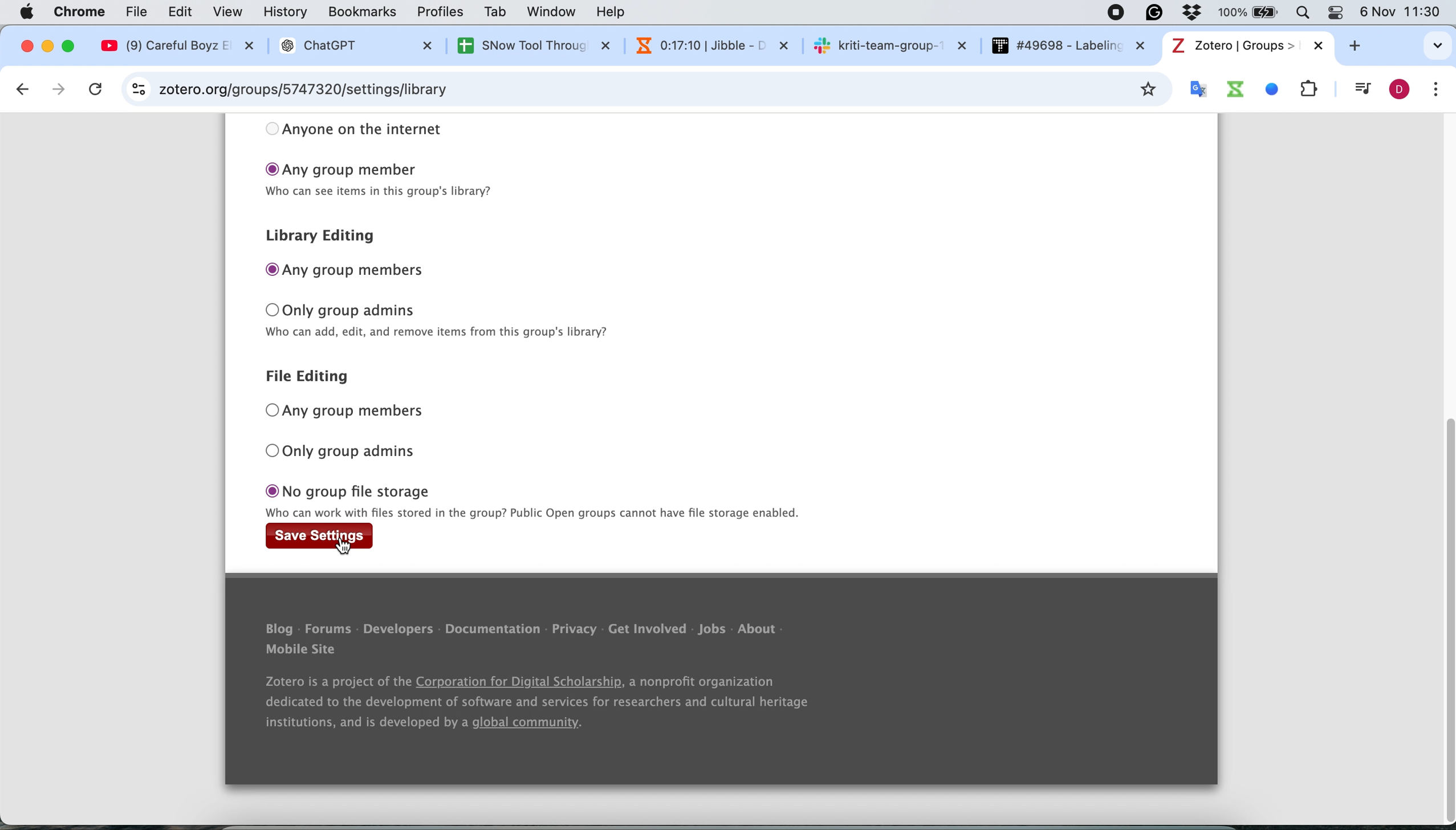 This screenshot has height=830, width=1456. What do you see at coordinates (1260, 88) in the screenshot?
I see `system extensions` at bounding box center [1260, 88].